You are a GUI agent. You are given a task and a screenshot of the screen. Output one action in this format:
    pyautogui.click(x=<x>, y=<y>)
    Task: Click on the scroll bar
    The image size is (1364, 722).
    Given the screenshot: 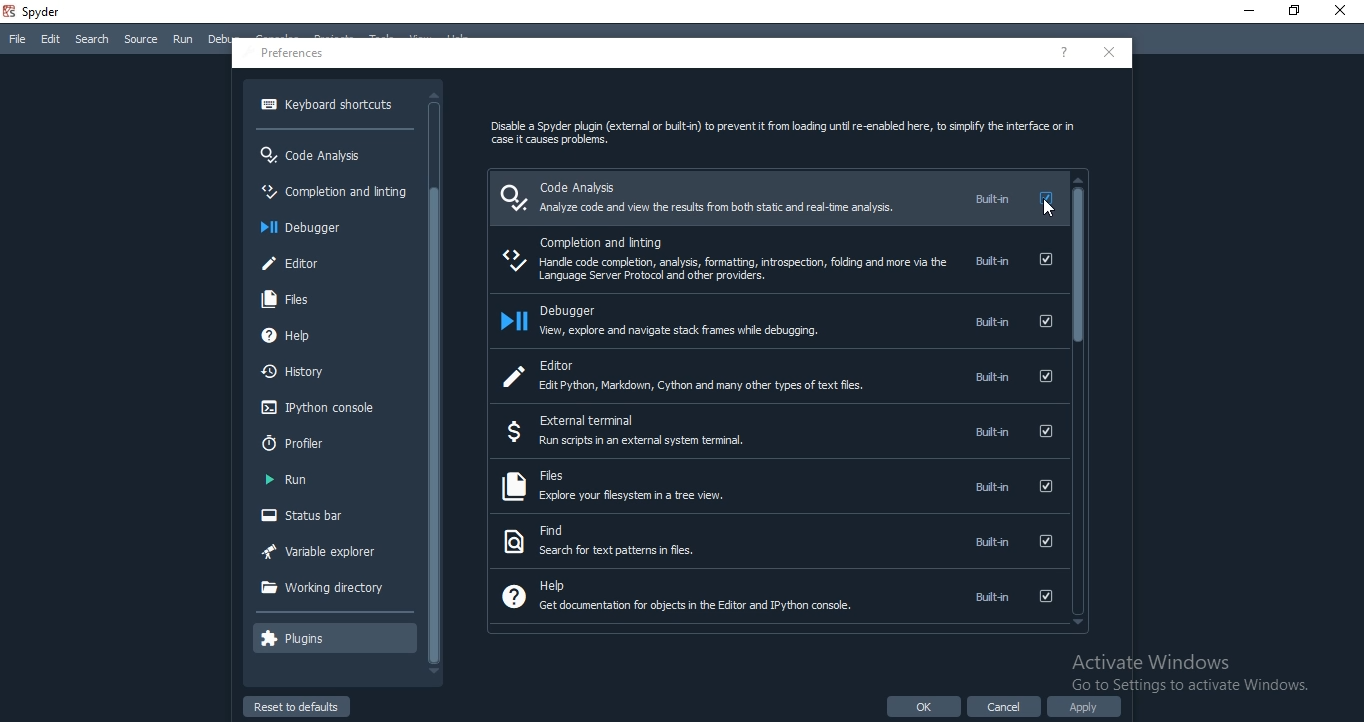 What is the action you would take?
    pyautogui.click(x=1078, y=400)
    